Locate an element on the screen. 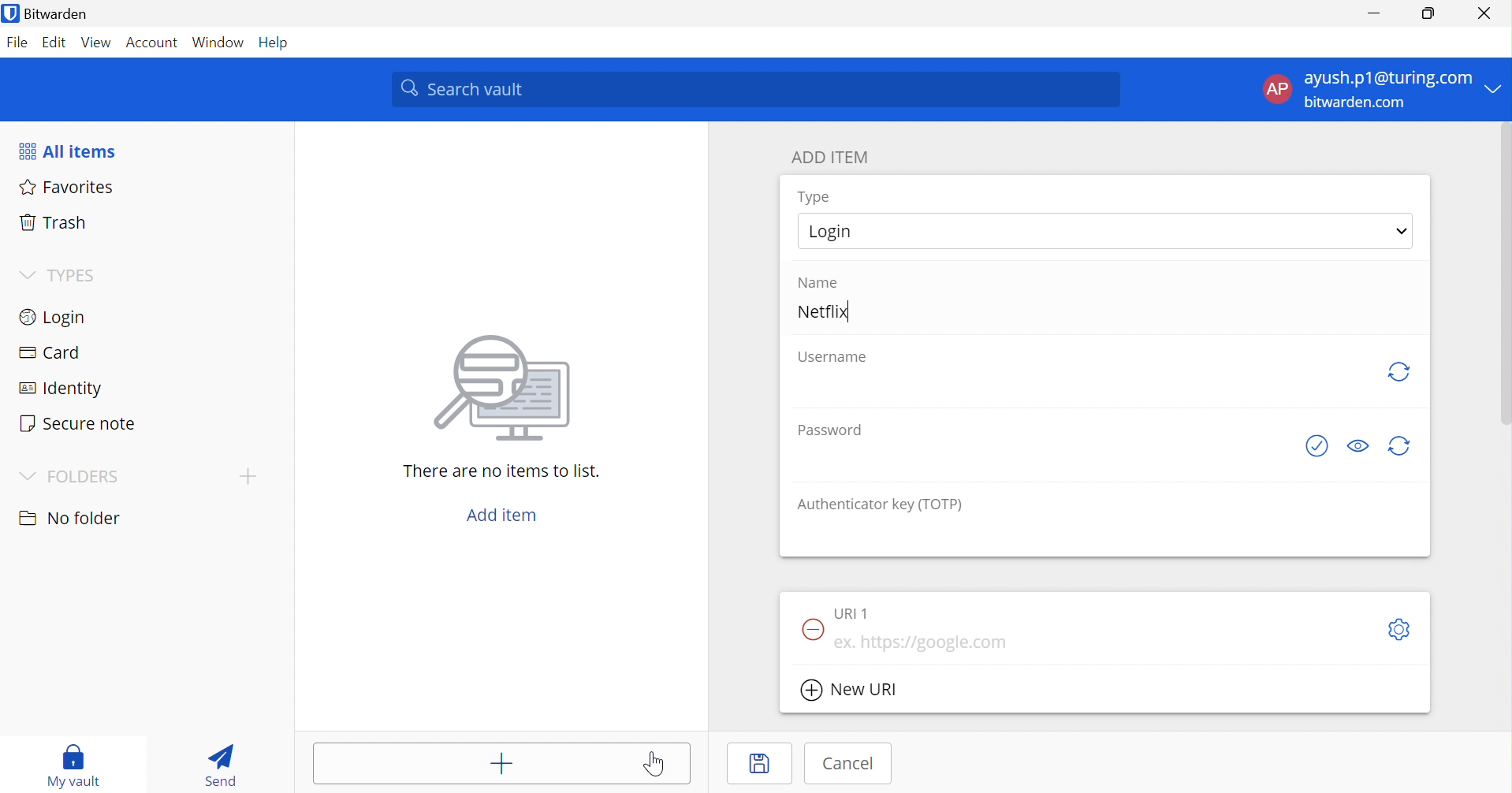 Image resolution: width=1512 pixels, height=793 pixels. Edit is located at coordinates (56, 43).